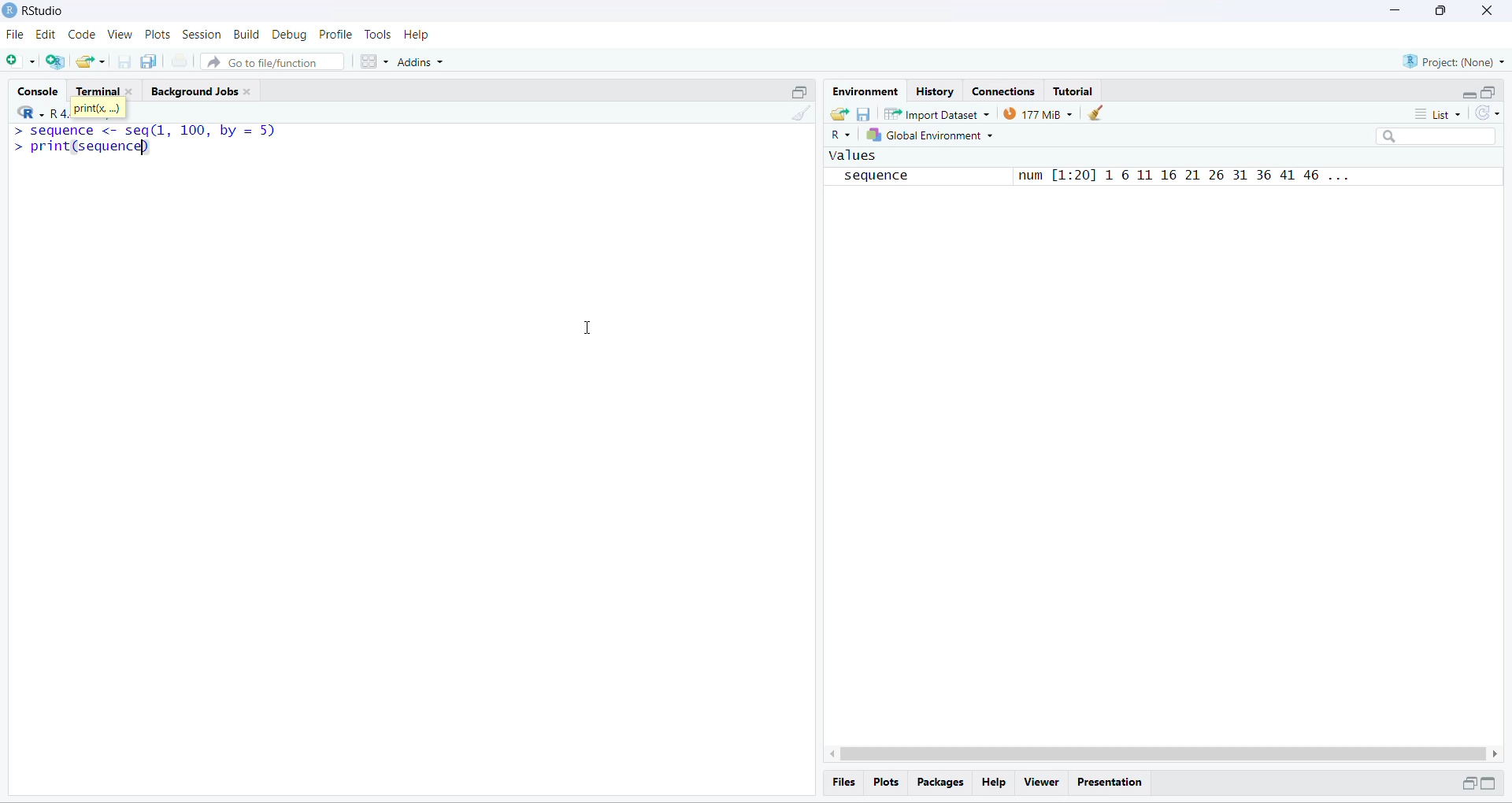  I want to click on maximise, so click(1441, 11).